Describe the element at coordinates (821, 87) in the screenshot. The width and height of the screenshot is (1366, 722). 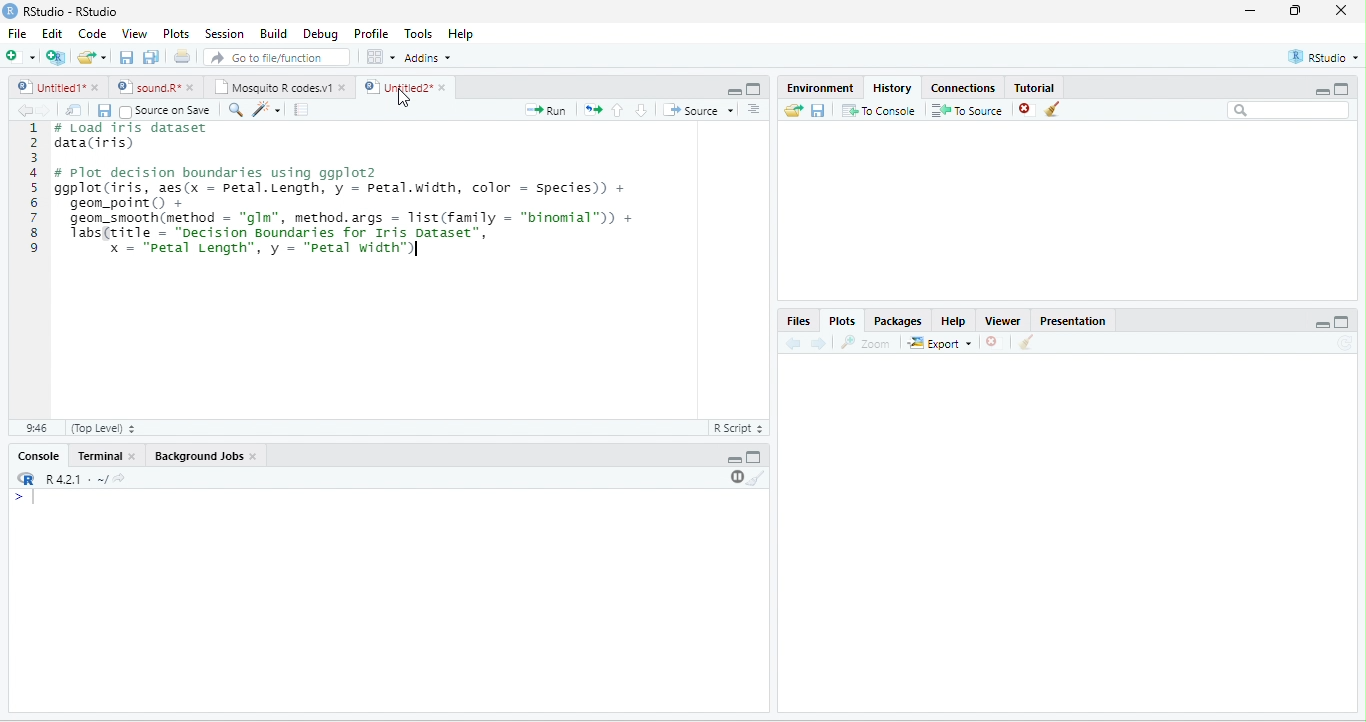
I see `Environment` at that location.